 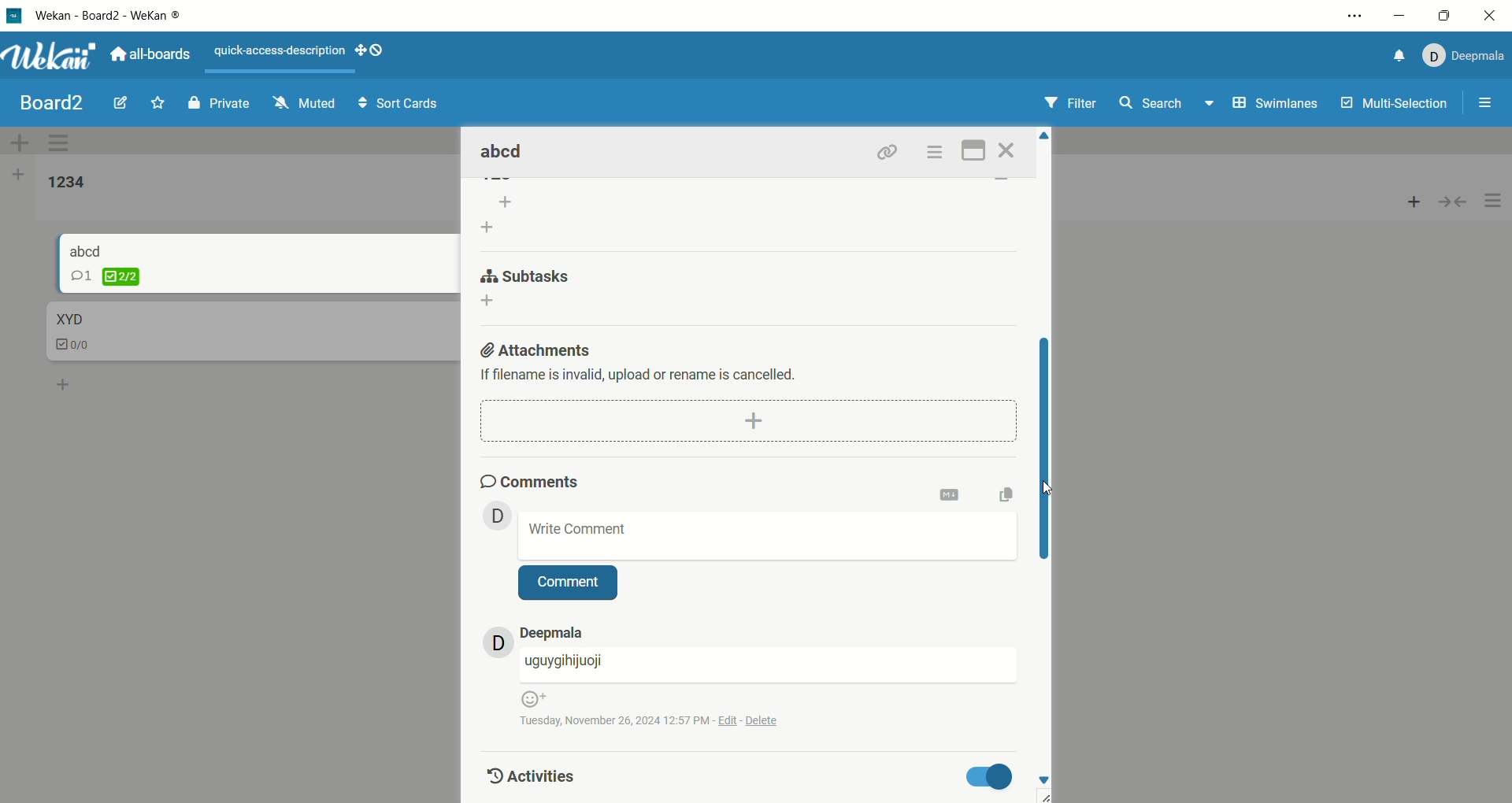 I want to click on muted, so click(x=305, y=102).